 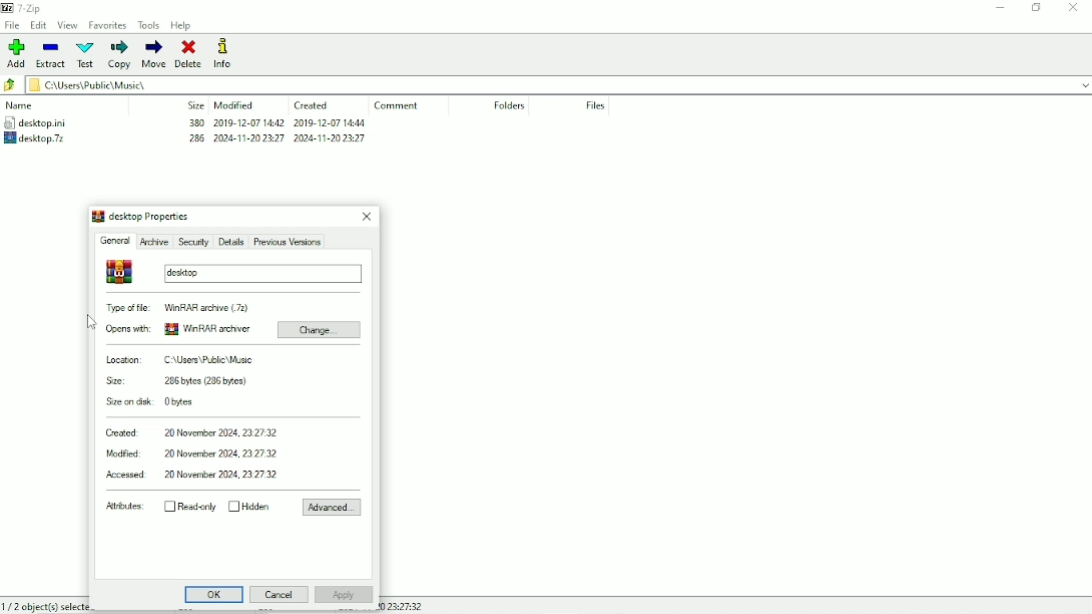 I want to click on Created, so click(x=312, y=106).